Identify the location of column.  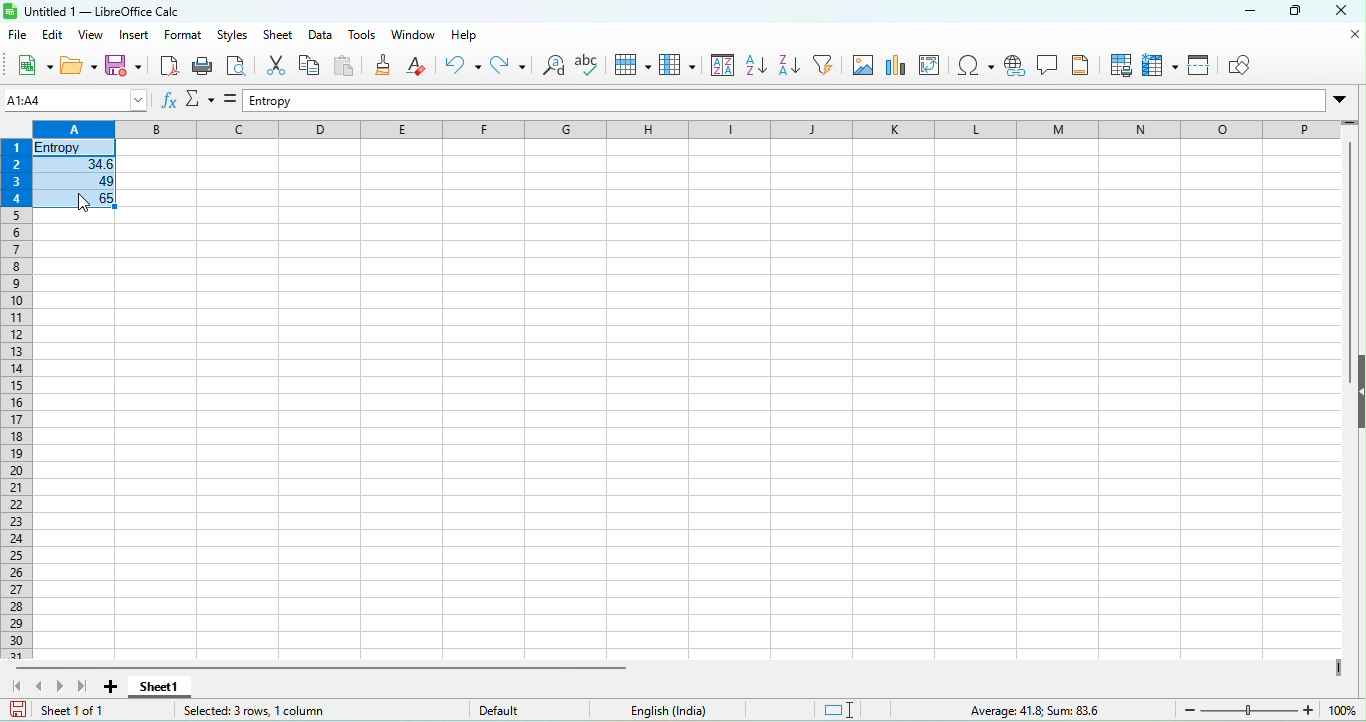
(674, 65).